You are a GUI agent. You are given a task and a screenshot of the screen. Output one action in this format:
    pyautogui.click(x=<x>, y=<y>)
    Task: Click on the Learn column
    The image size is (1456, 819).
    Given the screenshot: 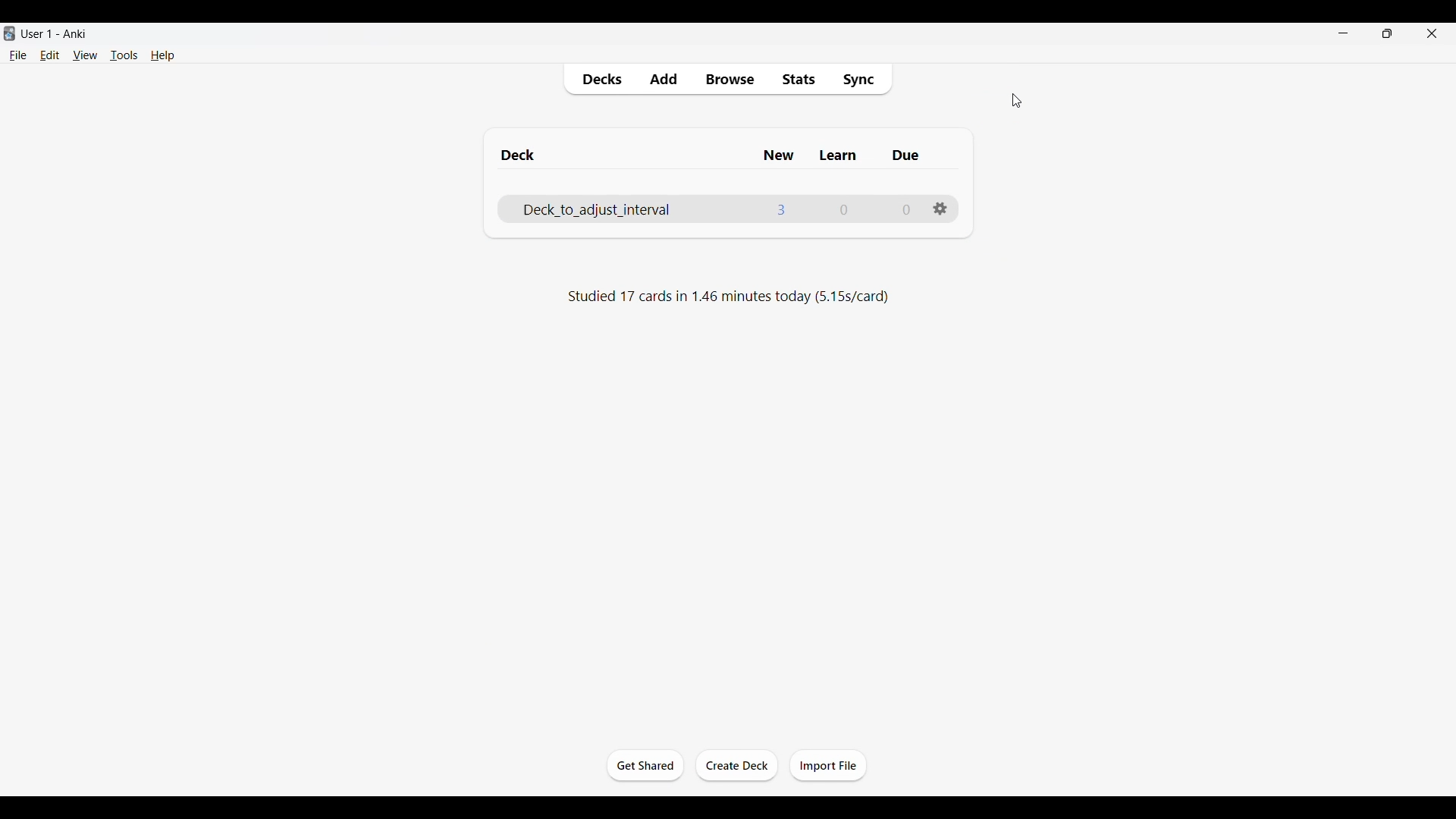 What is the action you would take?
    pyautogui.click(x=838, y=157)
    